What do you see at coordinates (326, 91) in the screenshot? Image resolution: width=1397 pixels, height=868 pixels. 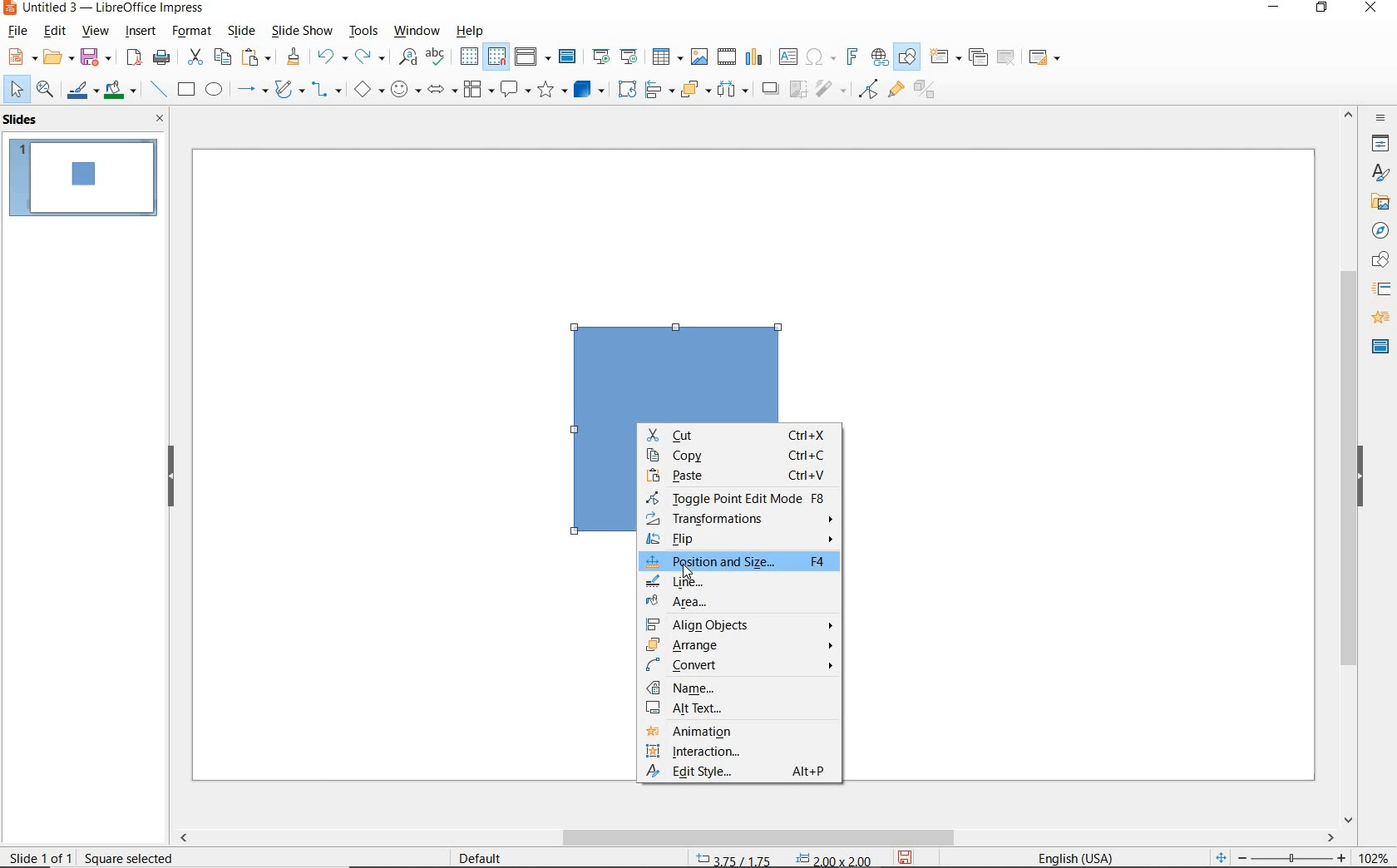 I see `connectors` at bounding box center [326, 91].